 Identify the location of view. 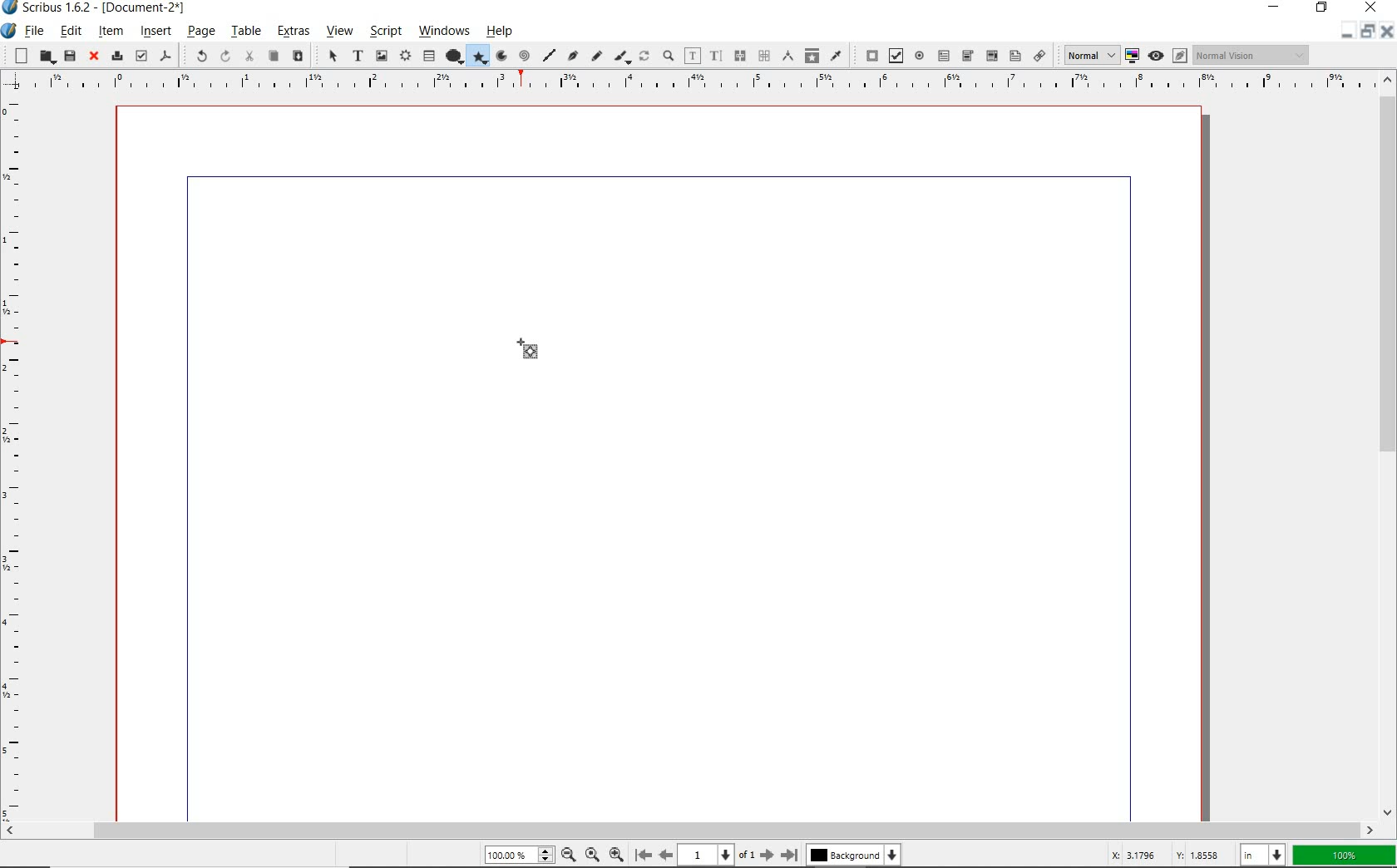
(339, 32).